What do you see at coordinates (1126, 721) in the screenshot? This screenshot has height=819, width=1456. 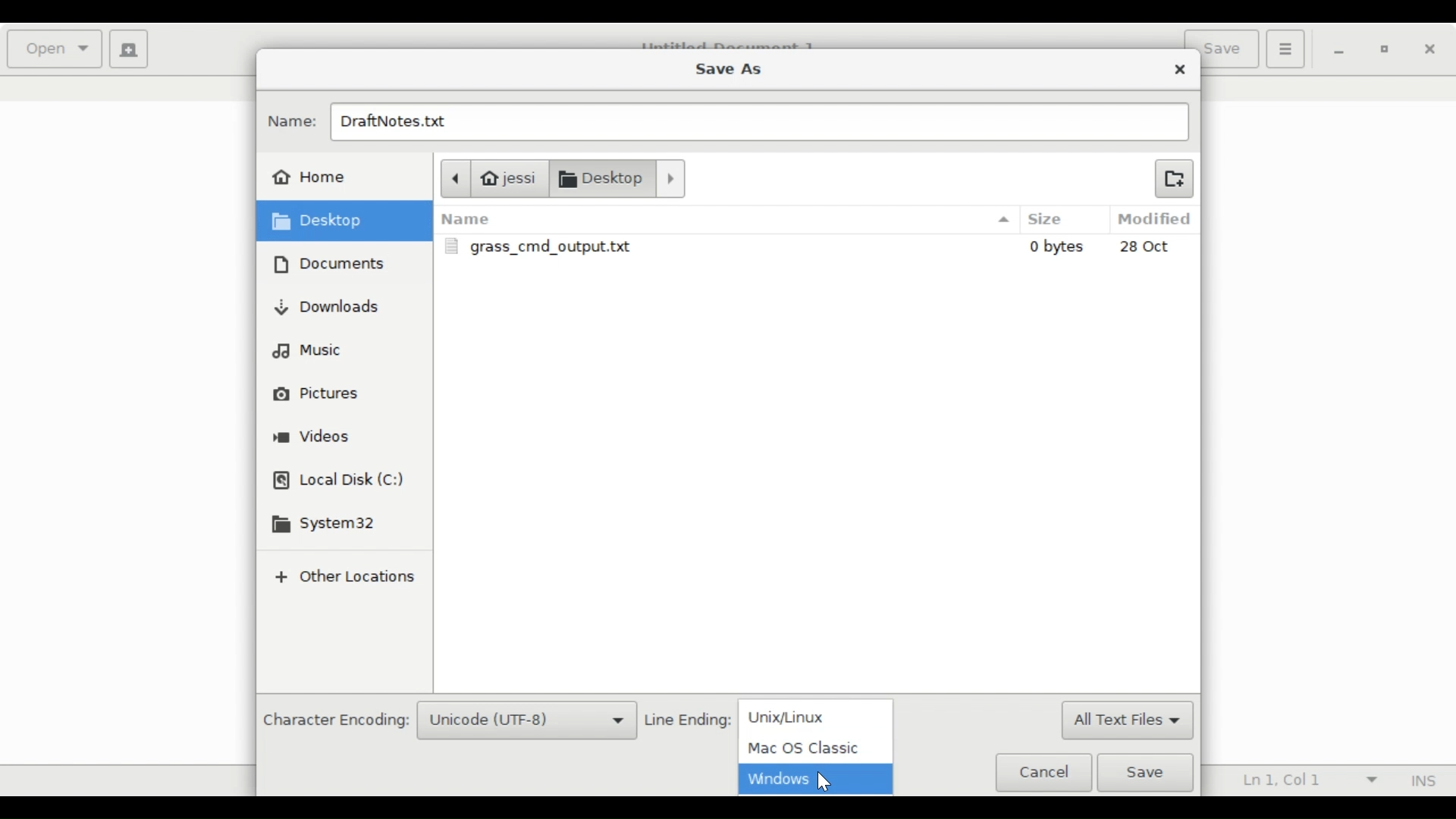 I see `All Text Files` at bounding box center [1126, 721].